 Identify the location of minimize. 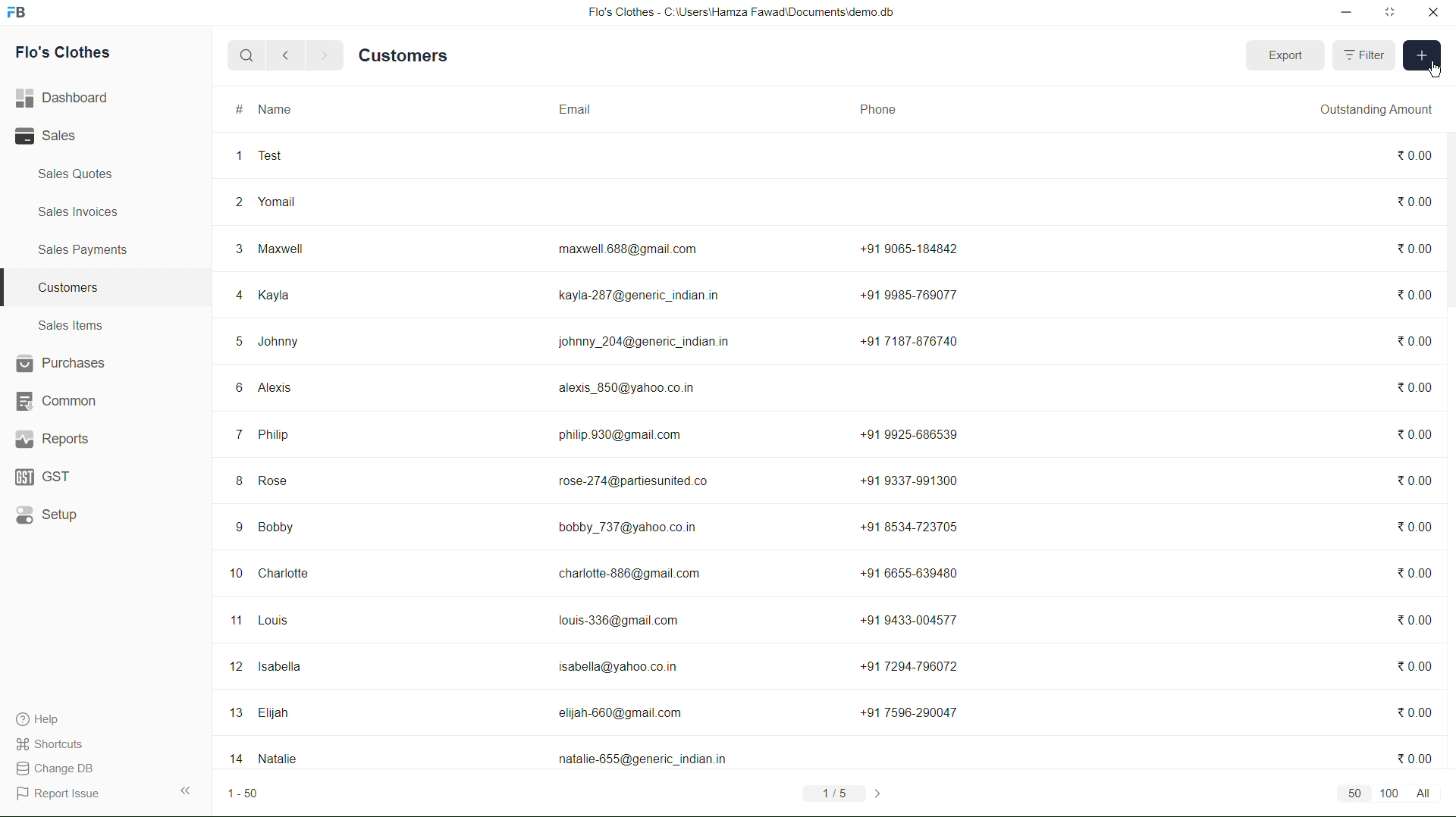
(1342, 14).